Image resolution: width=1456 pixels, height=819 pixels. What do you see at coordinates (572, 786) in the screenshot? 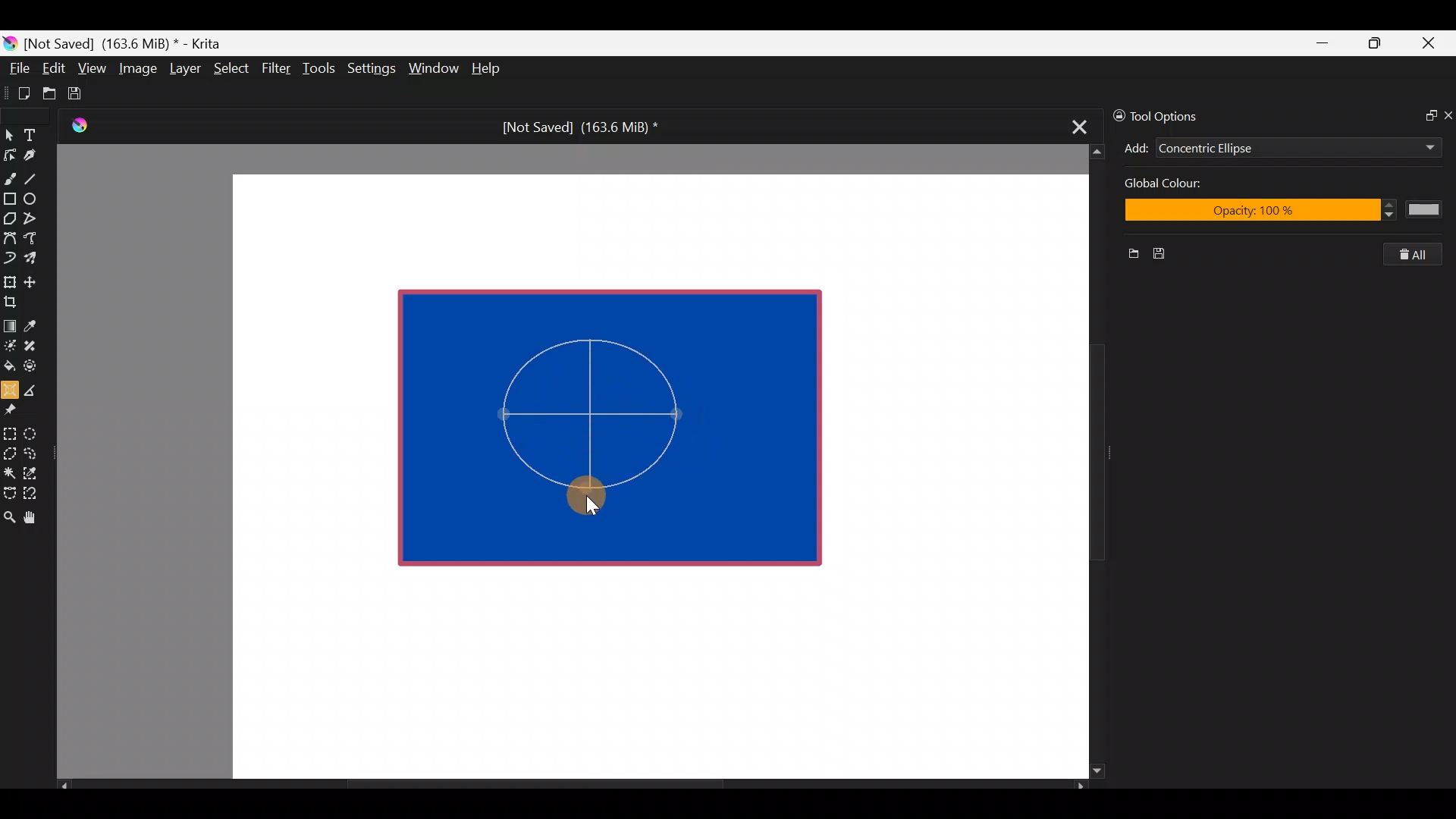
I see `Scroll bar` at bounding box center [572, 786].